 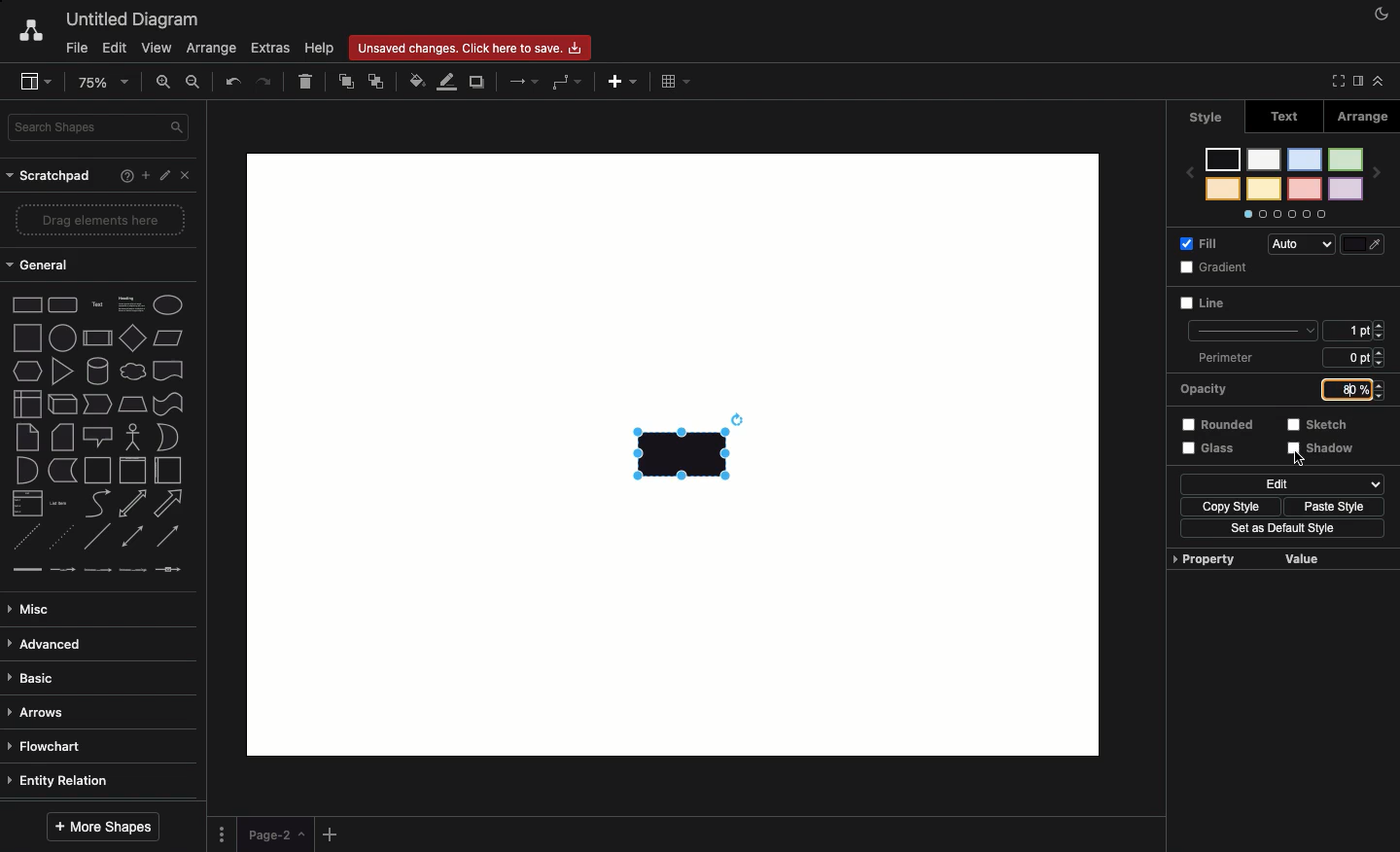 What do you see at coordinates (1202, 388) in the screenshot?
I see `Opacity` at bounding box center [1202, 388].